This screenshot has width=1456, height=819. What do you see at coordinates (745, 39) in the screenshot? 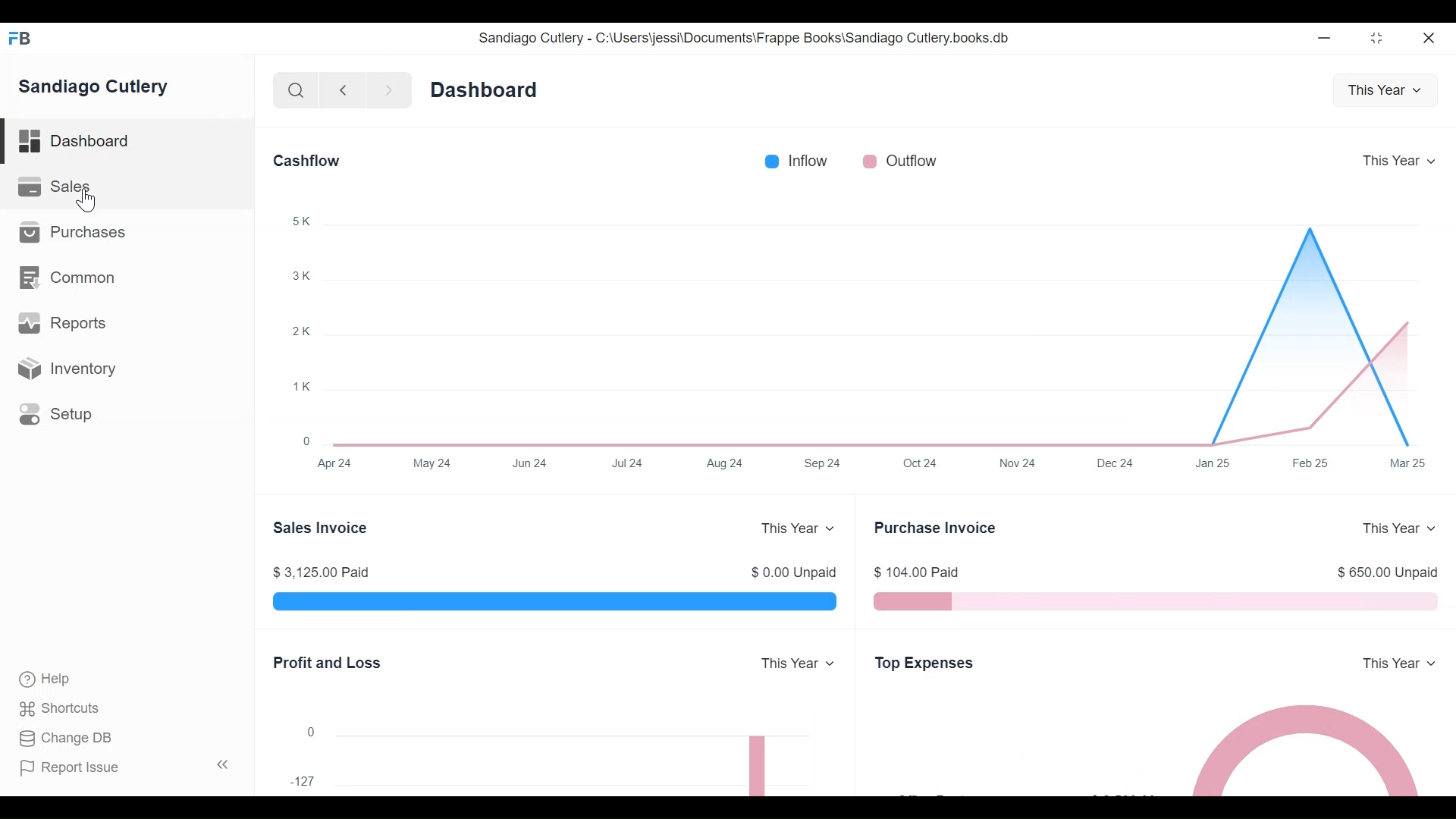
I see `Sandiago Cutlery - C:\Users\jessi\Documents\Frappe Books\Sandiago Cutlery.books.db` at bounding box center [745, 39].